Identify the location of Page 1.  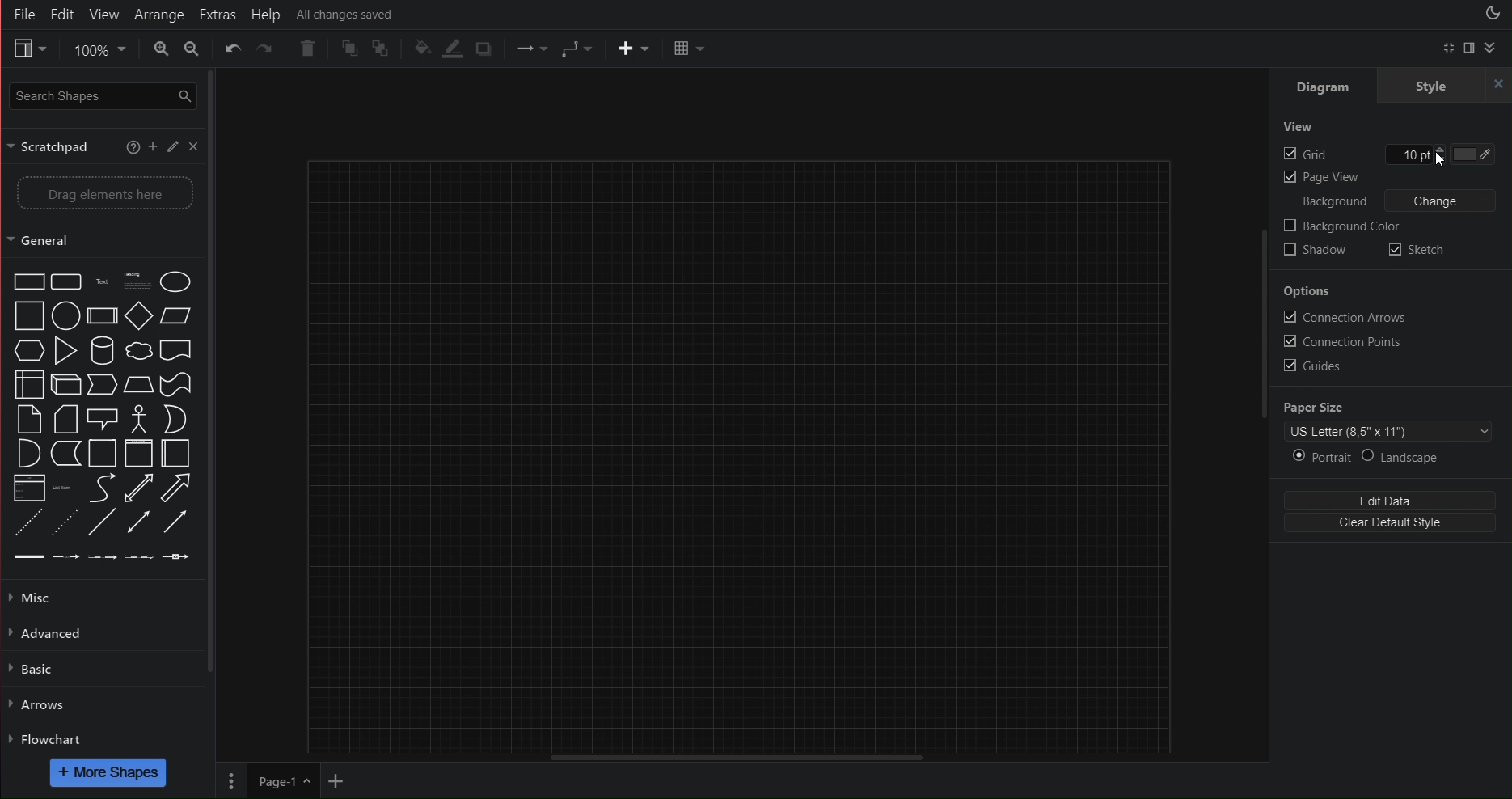
(280, 780).